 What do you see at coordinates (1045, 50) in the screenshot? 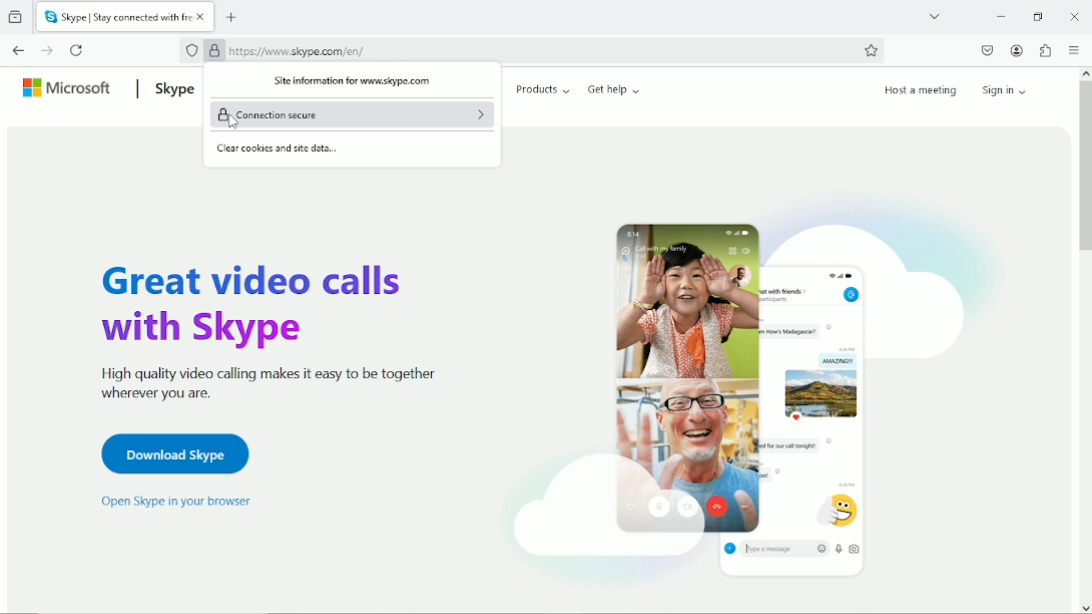
I see `Extensions` at bounding box center [1045, 50].